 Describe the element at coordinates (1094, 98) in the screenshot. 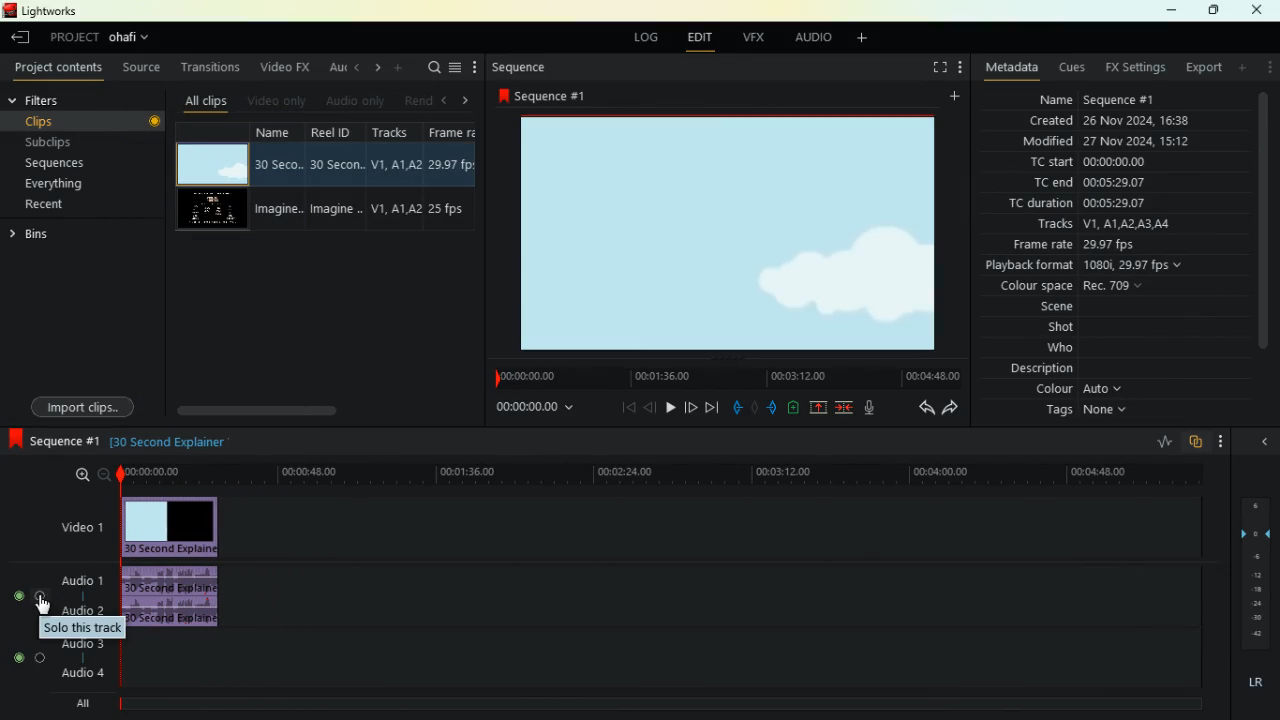

I see `name` at that location.